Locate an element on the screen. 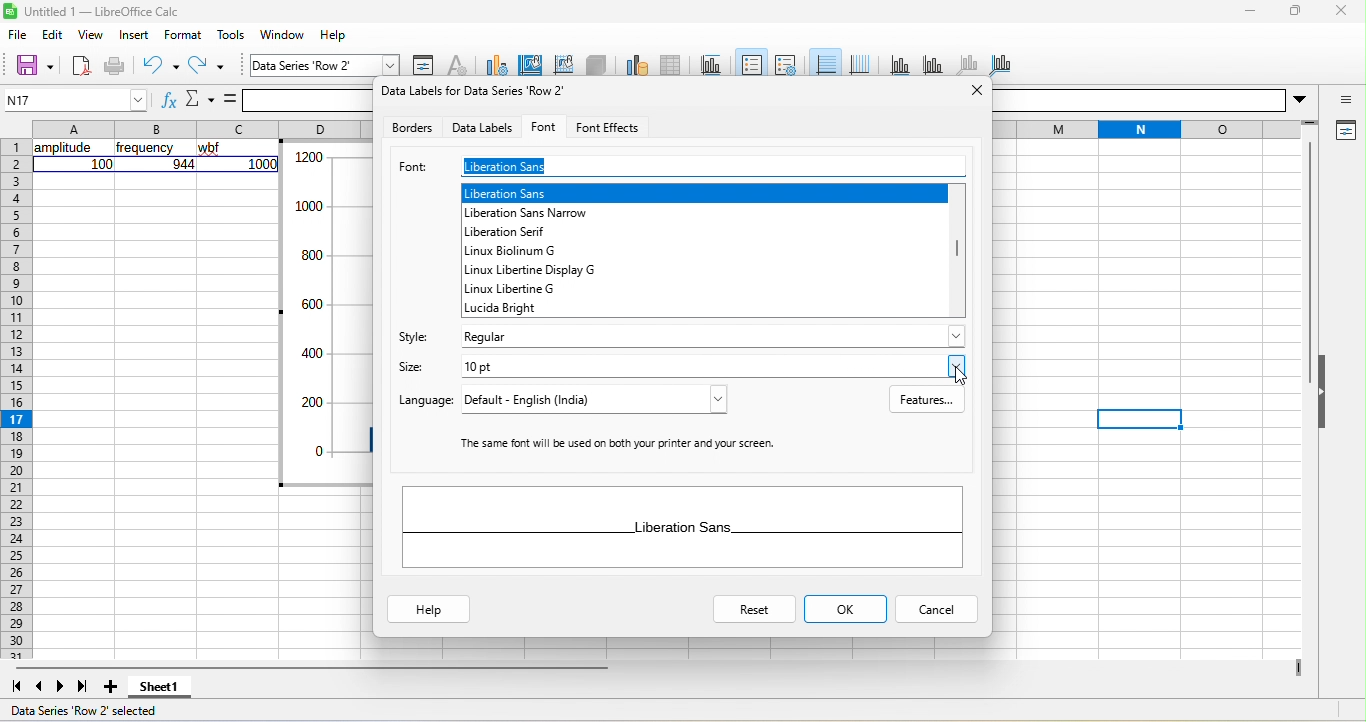 This screenshot has height=722, width=1366. liberation sans narrow is located at coordinates (537, 212).